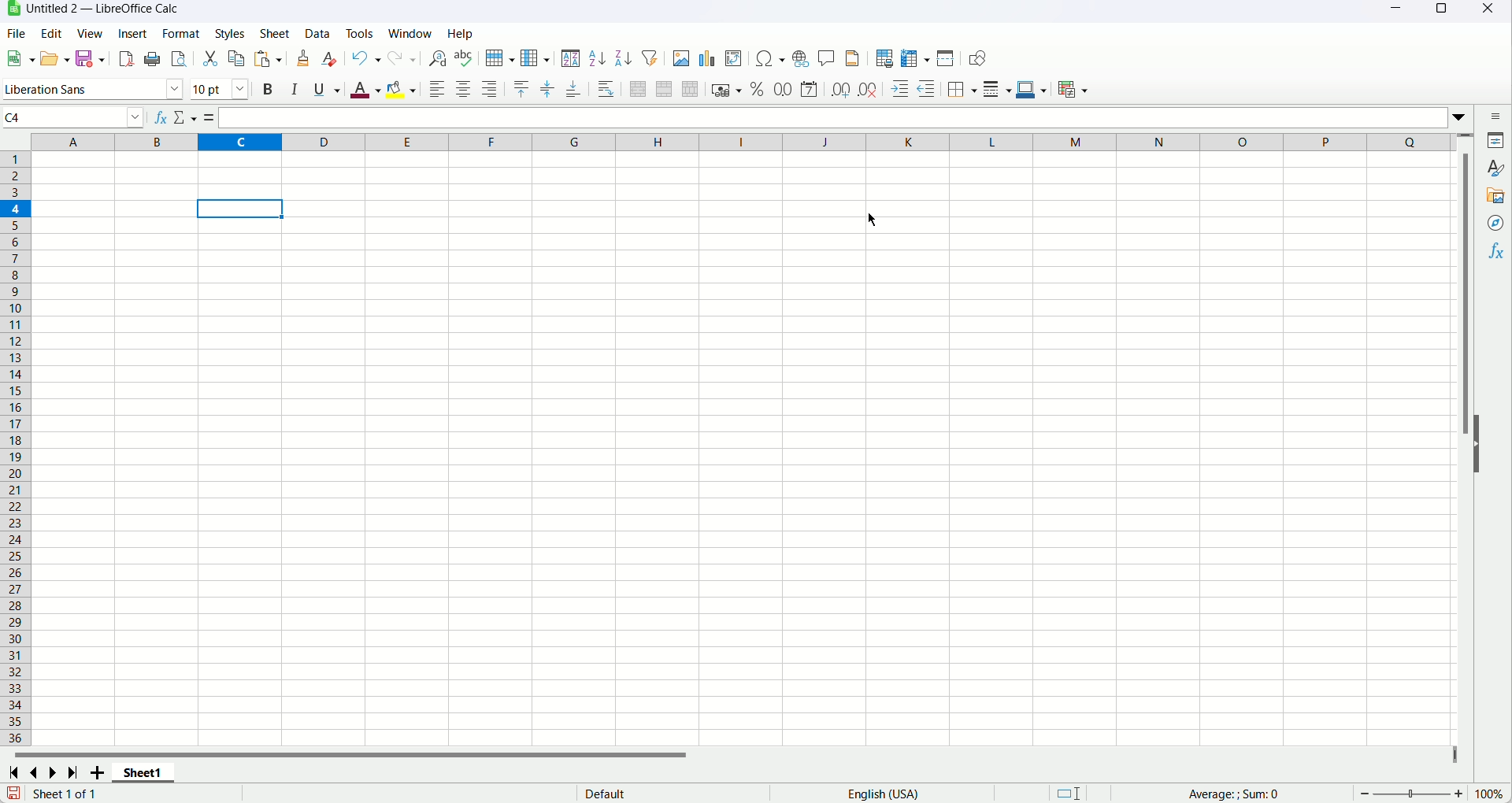  I want to click on Cut, so click(211, 60).